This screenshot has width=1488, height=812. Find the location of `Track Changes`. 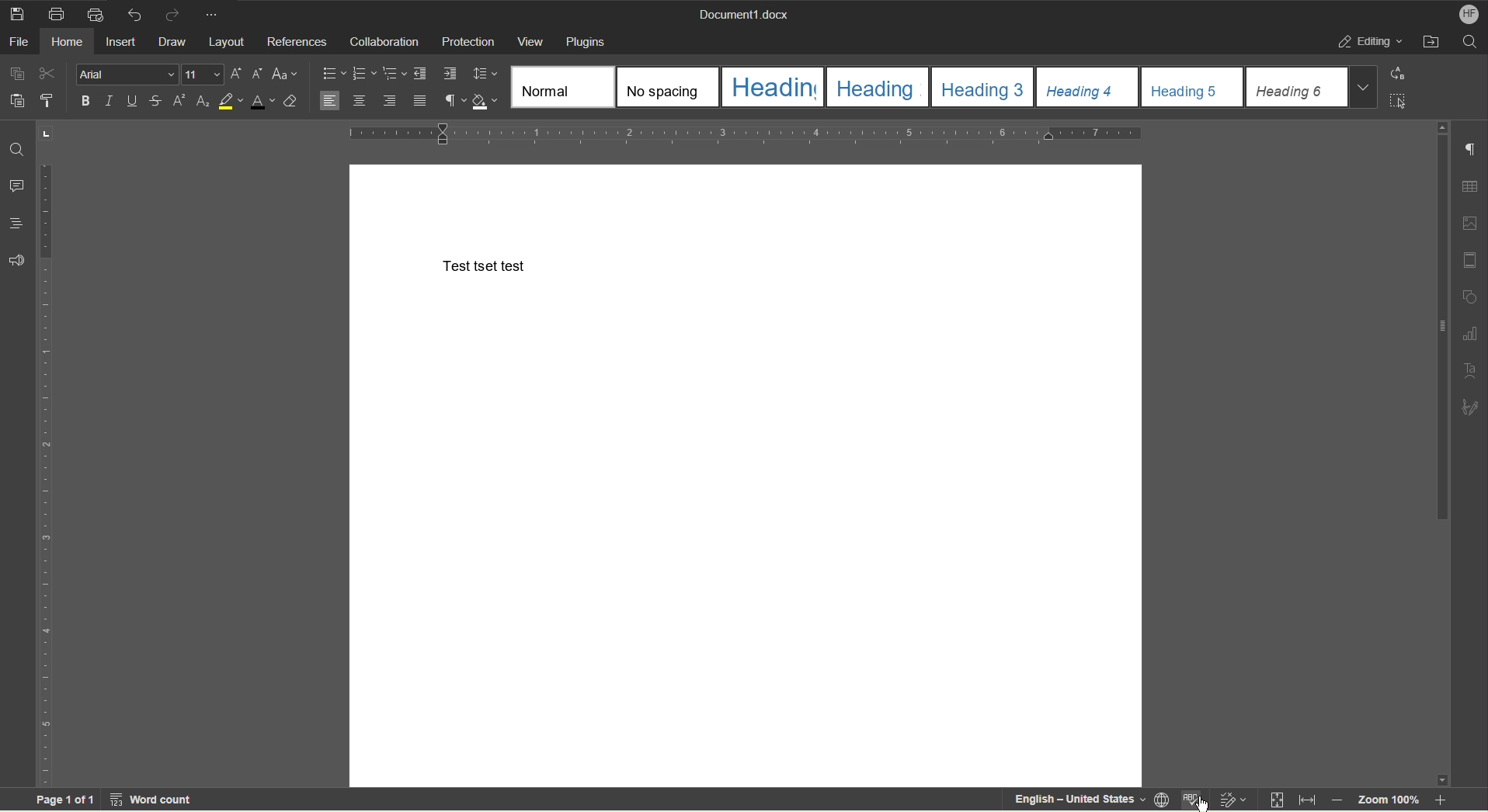

Track Changes is located at coordinates (1236, 800).